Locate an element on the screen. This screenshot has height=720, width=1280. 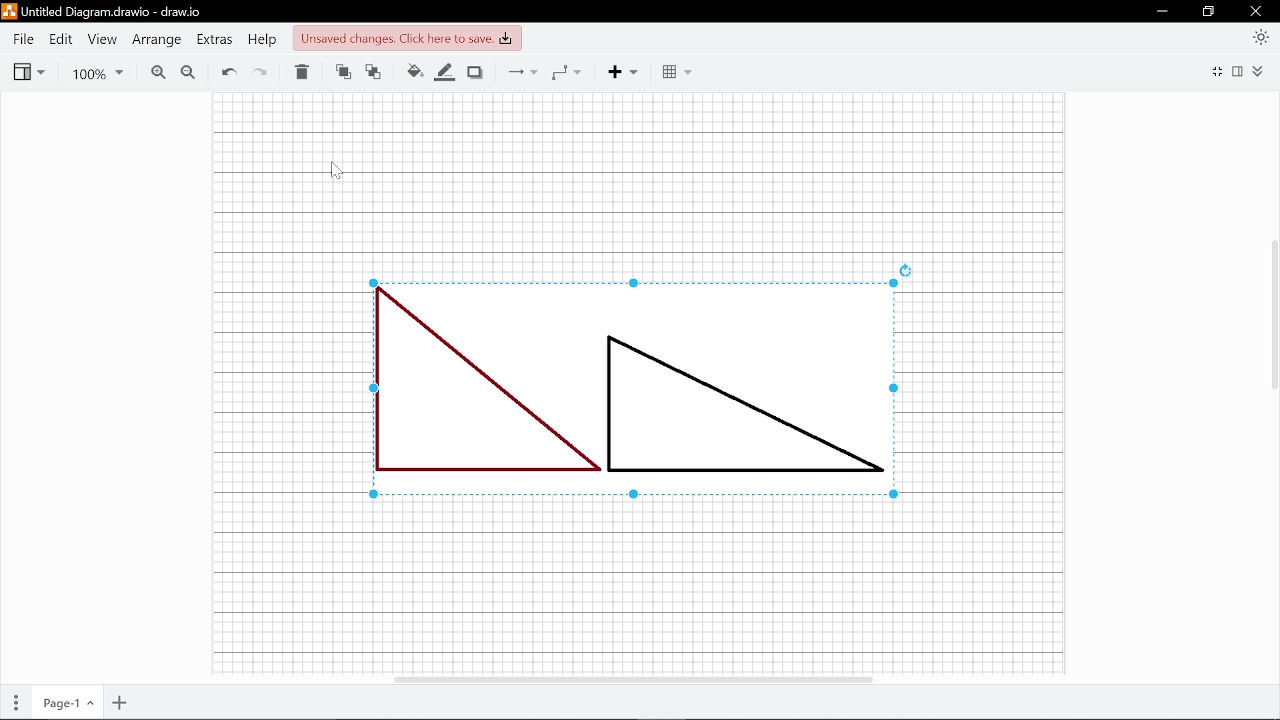
Arrange is located at coordinates (154, 41).